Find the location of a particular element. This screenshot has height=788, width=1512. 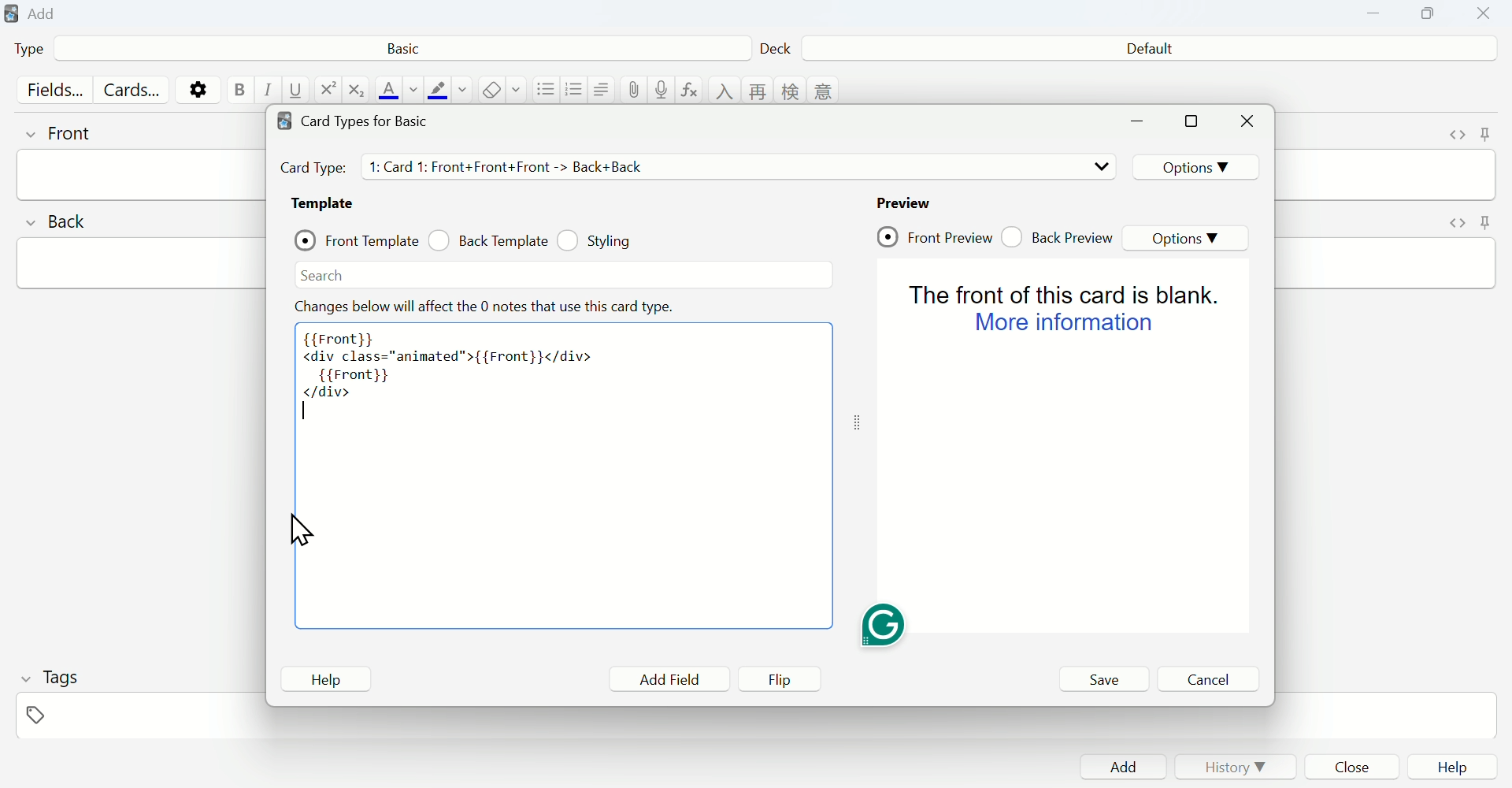

Help is located at coordinates (328, 679).